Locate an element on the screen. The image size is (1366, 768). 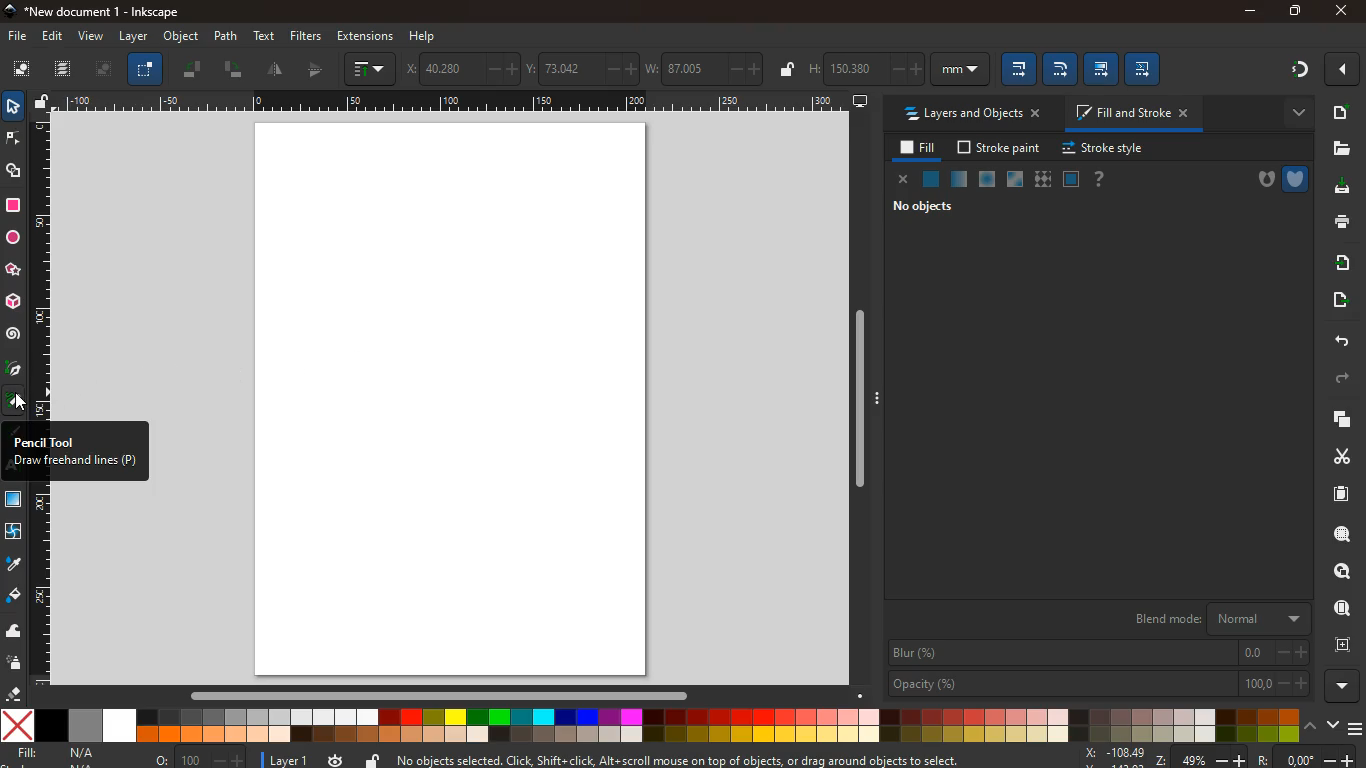
middle is located at coordinates (309, 71).